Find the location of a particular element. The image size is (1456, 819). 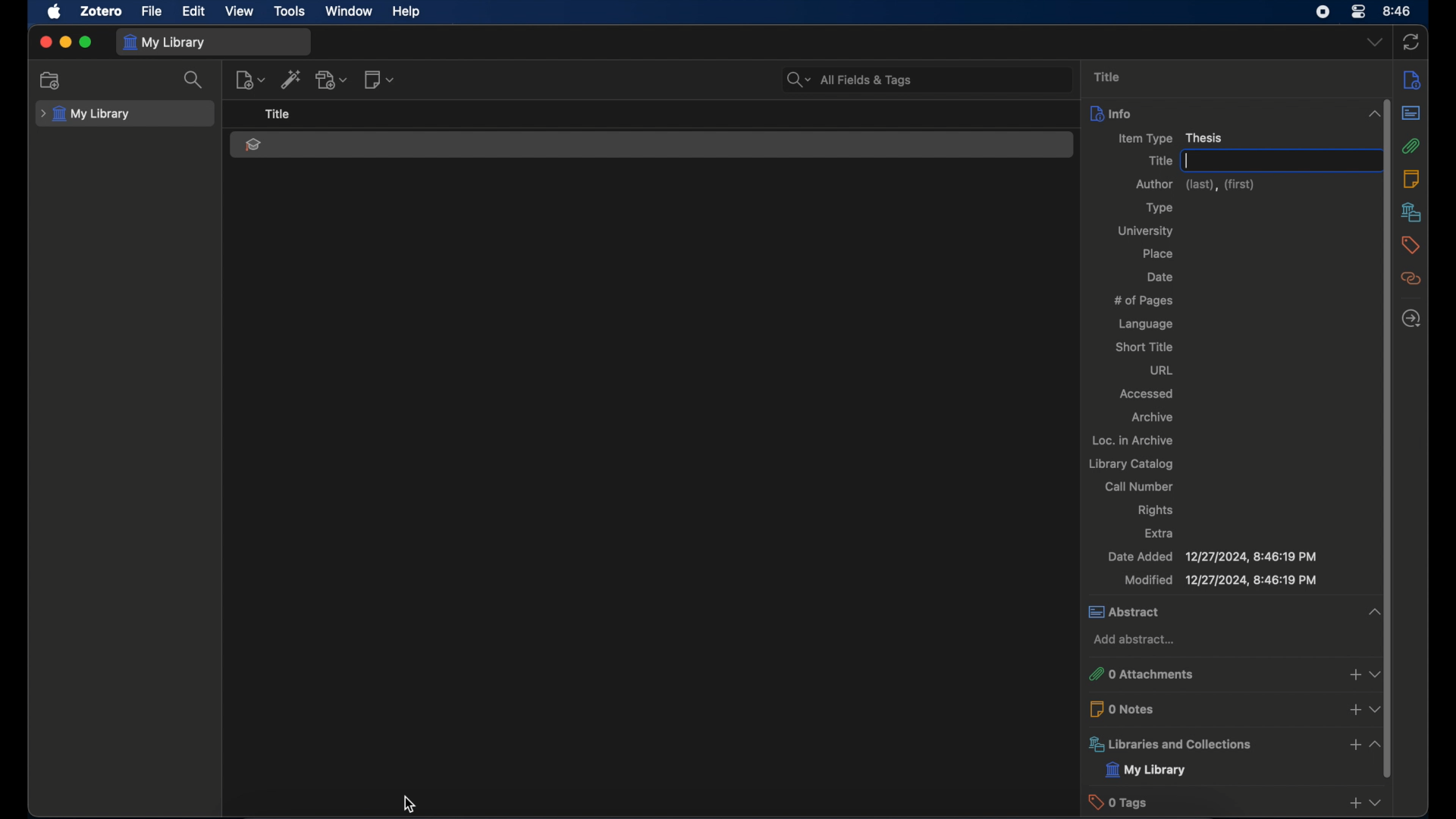

dropdown is located at coordinates (1378, 802).